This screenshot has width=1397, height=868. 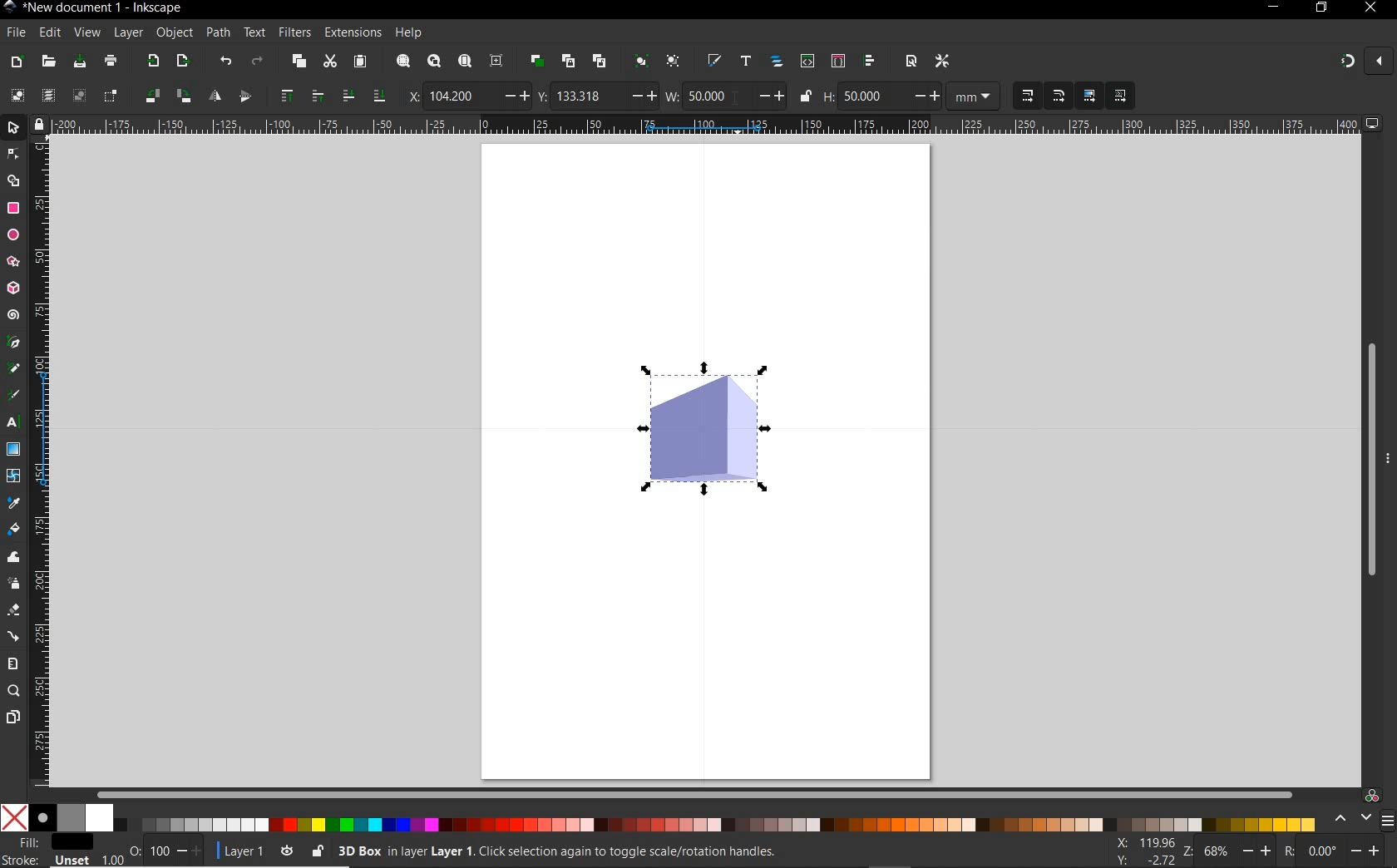 I want to click on mesh tool, so click(x=14, y=477).